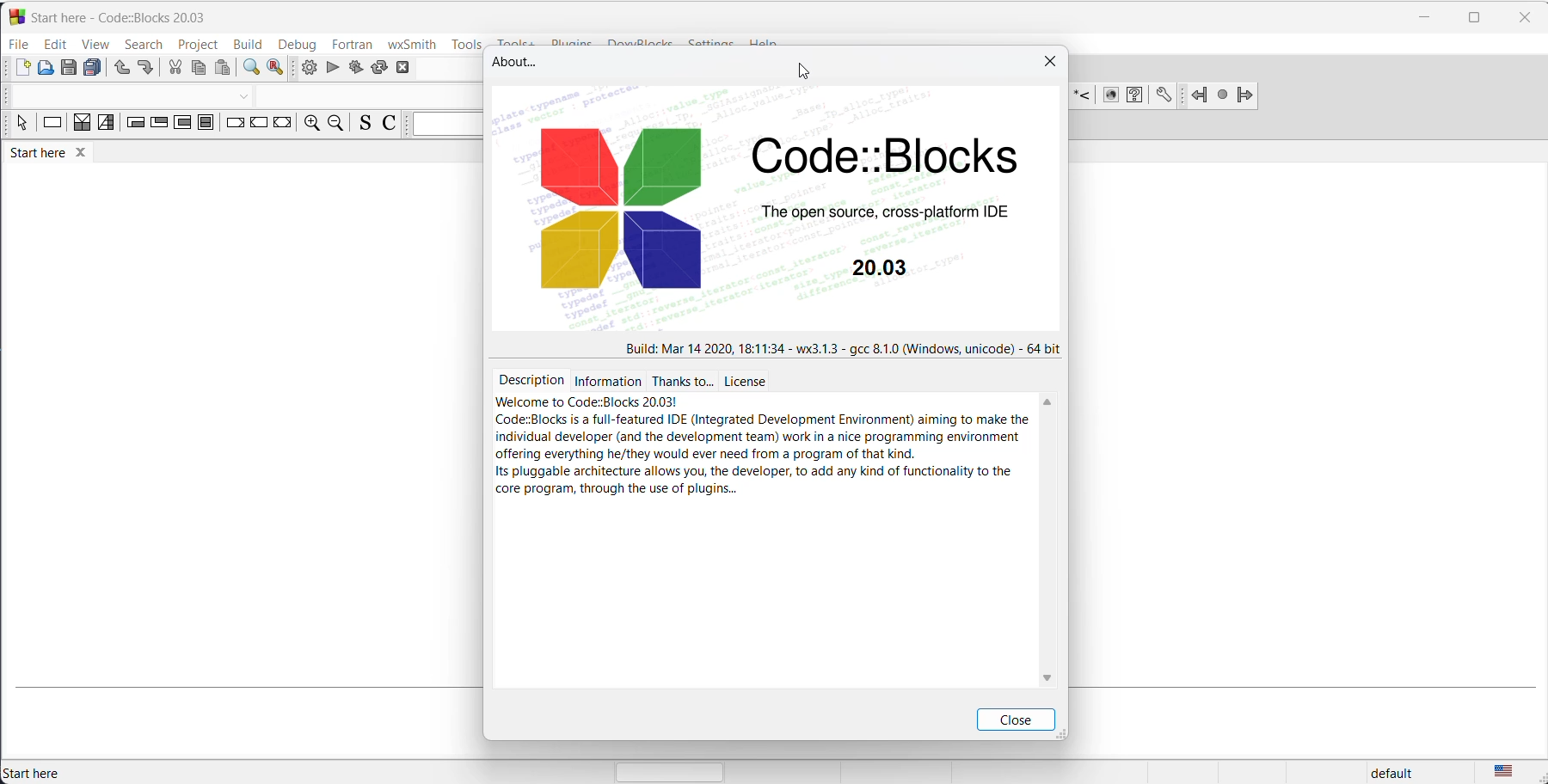 The image size is (1548, 784). Describe the element at coordinates (81, 124) in the screenshot. I see `decision ` at that location.